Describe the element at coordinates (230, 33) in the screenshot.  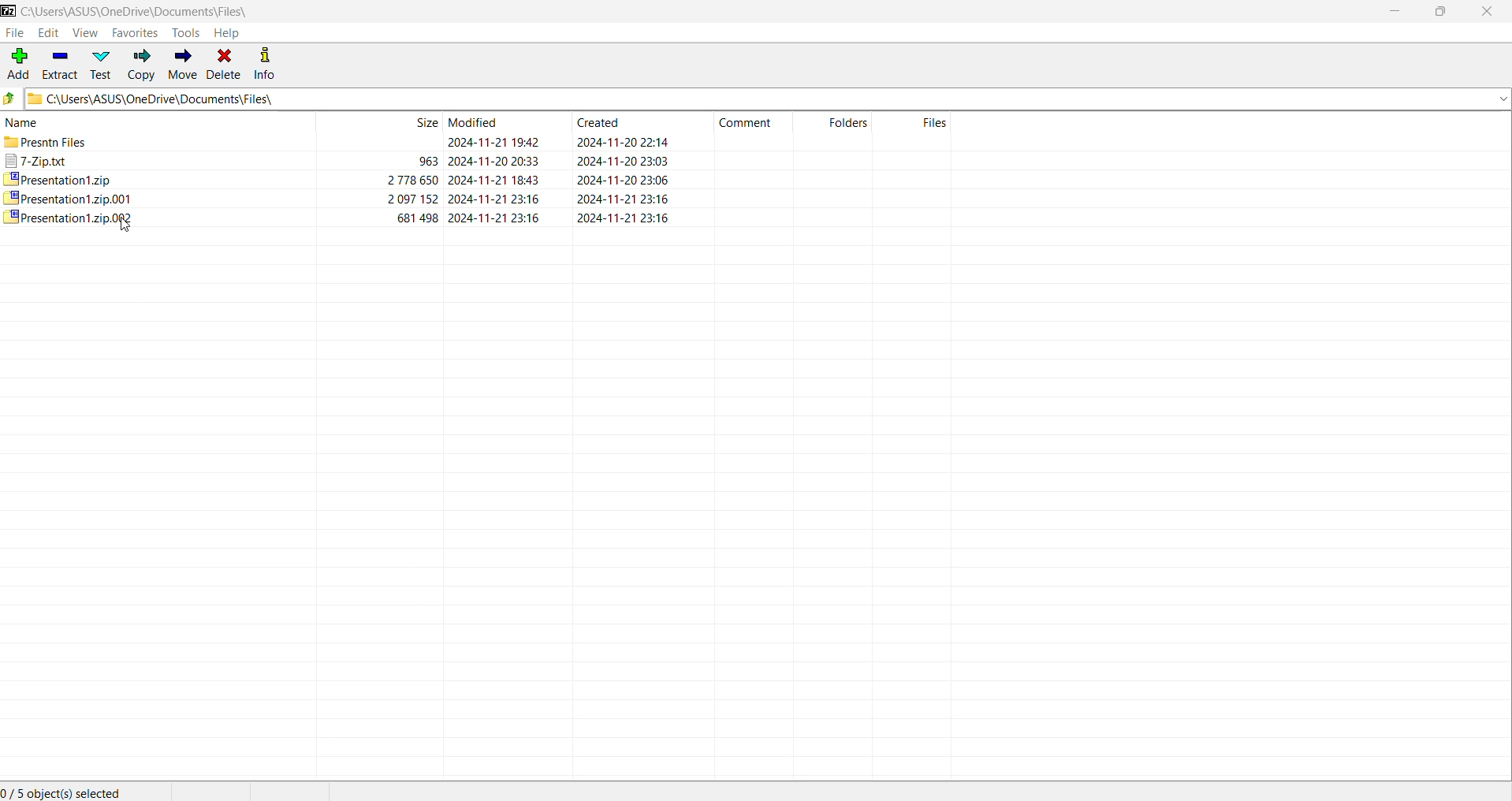
I see `Help` at that location.